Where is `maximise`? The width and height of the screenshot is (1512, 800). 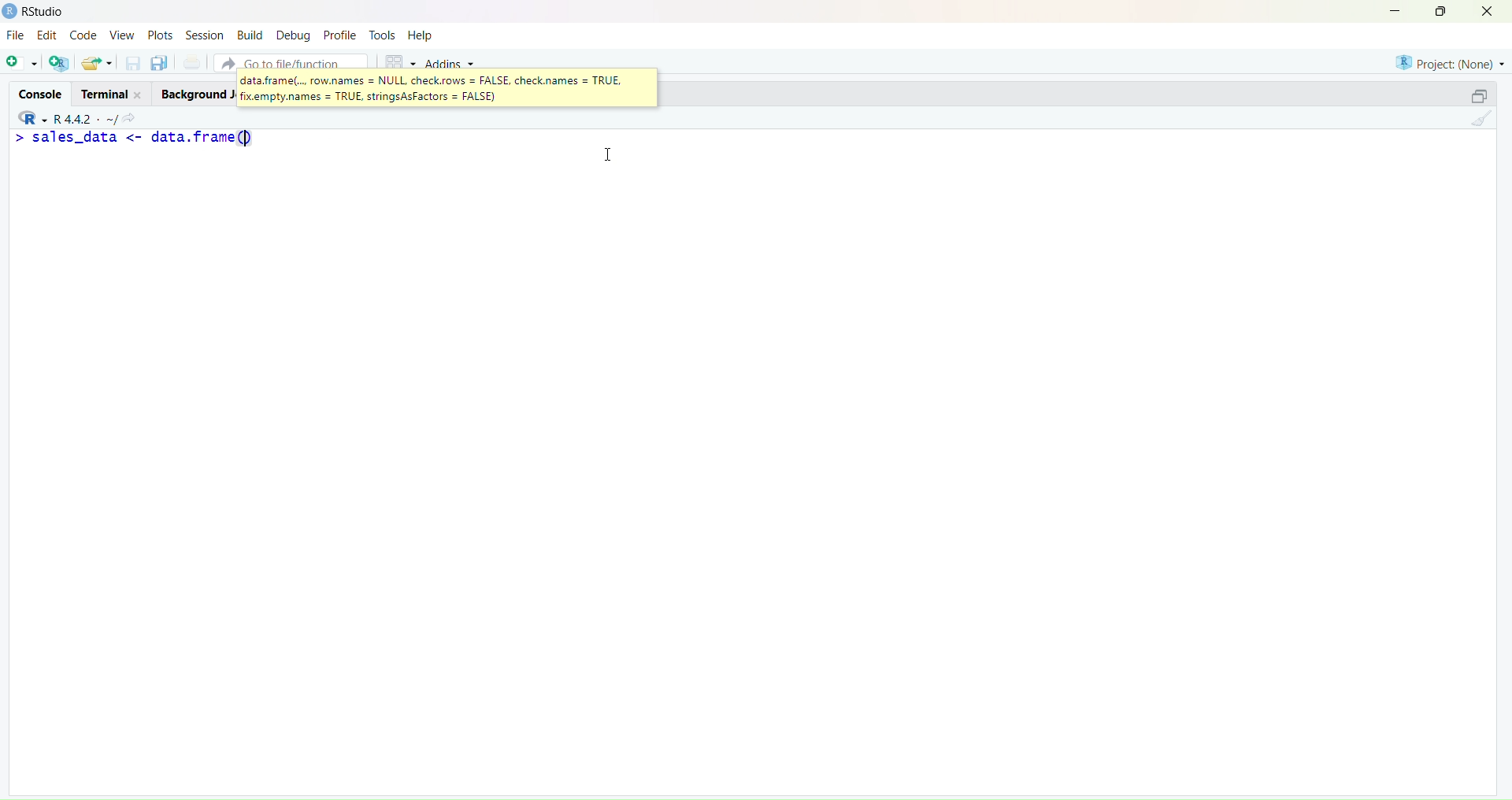 maximise is located at coordinates (1444, 11).